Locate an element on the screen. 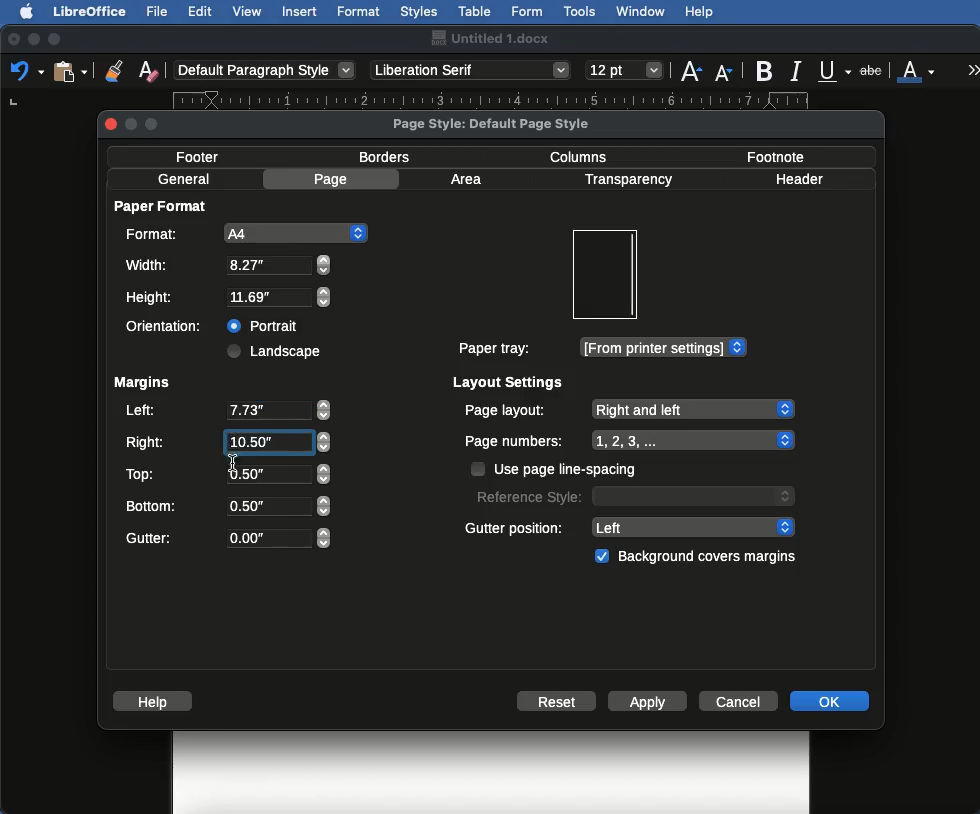  Italics is located at coordinates (799, 69).